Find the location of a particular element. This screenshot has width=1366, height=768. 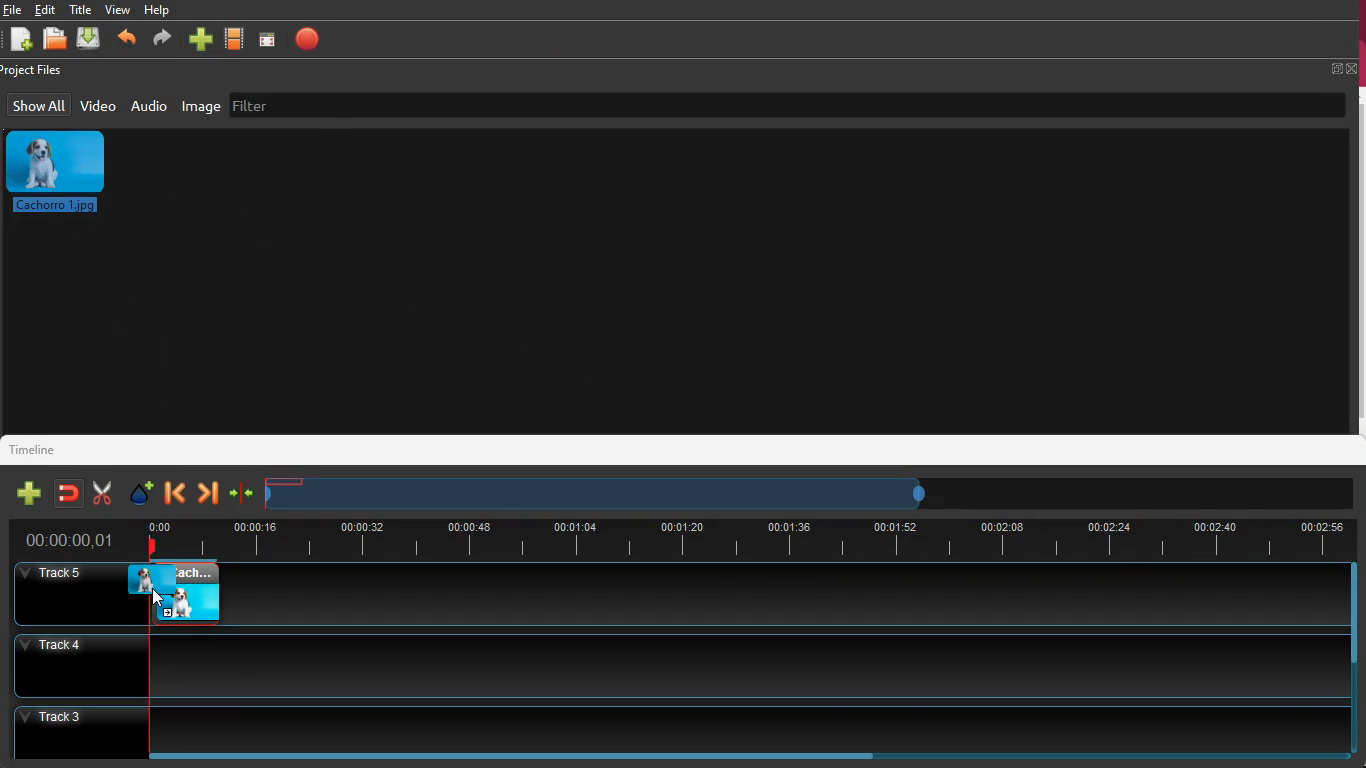

scroll bar is located at coordinates (512, 755).